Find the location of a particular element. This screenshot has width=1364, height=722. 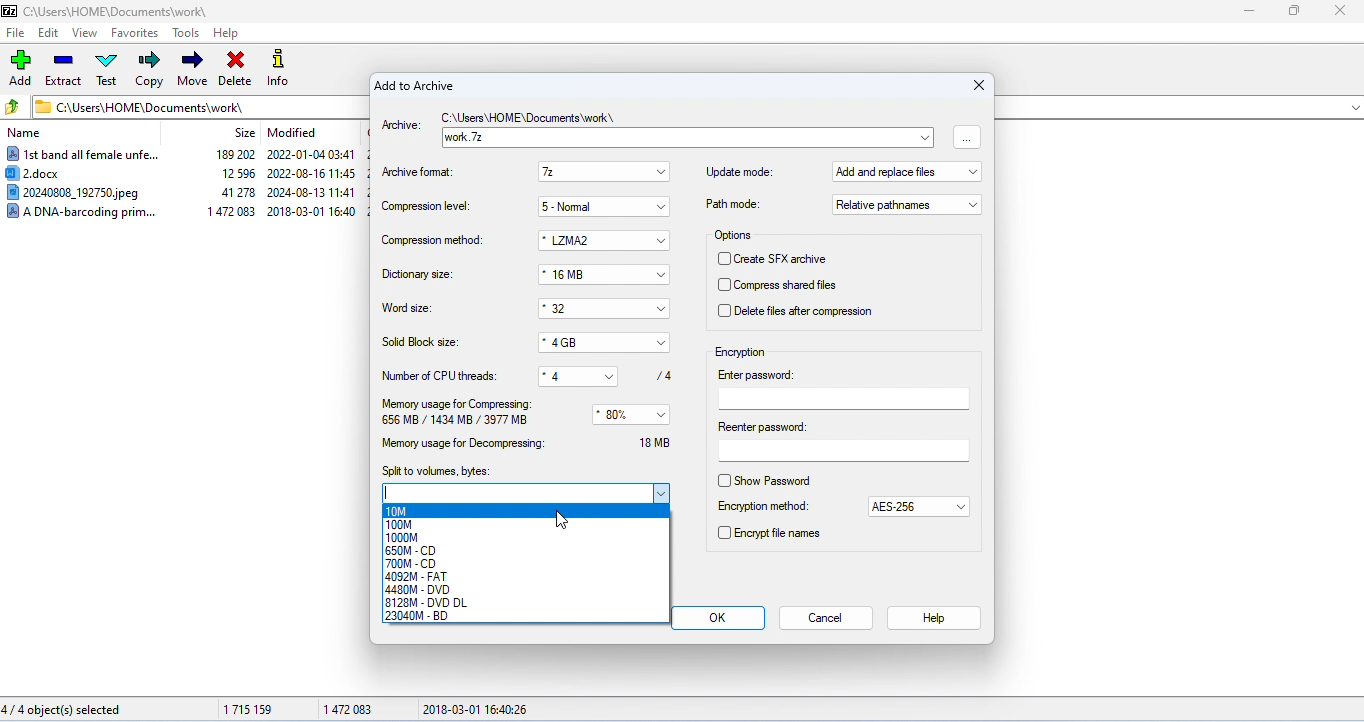

work.7z is located at coordinates (673, 138).